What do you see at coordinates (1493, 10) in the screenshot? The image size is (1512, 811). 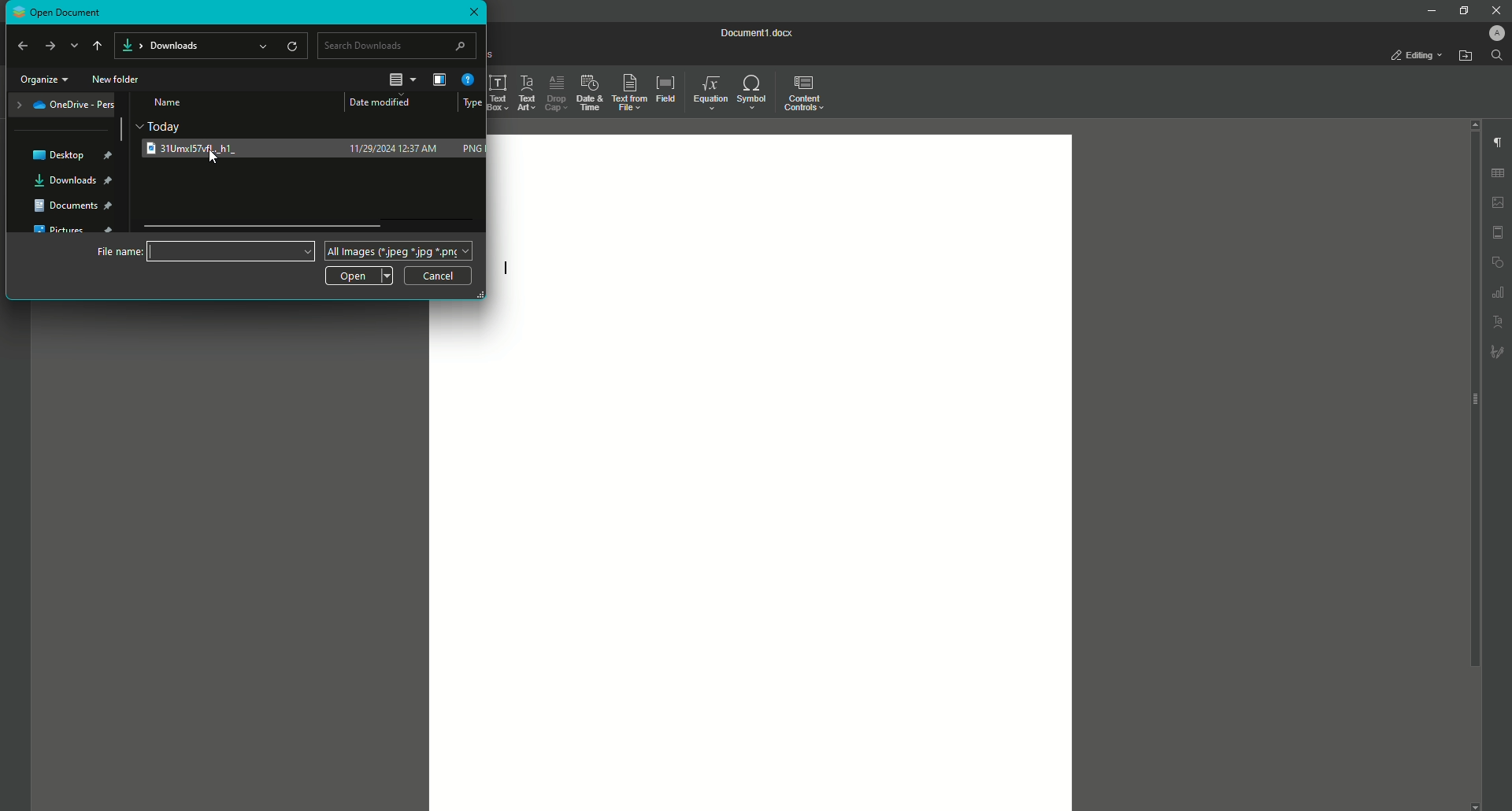 I see `Close` at bounding box center [1493, 10].